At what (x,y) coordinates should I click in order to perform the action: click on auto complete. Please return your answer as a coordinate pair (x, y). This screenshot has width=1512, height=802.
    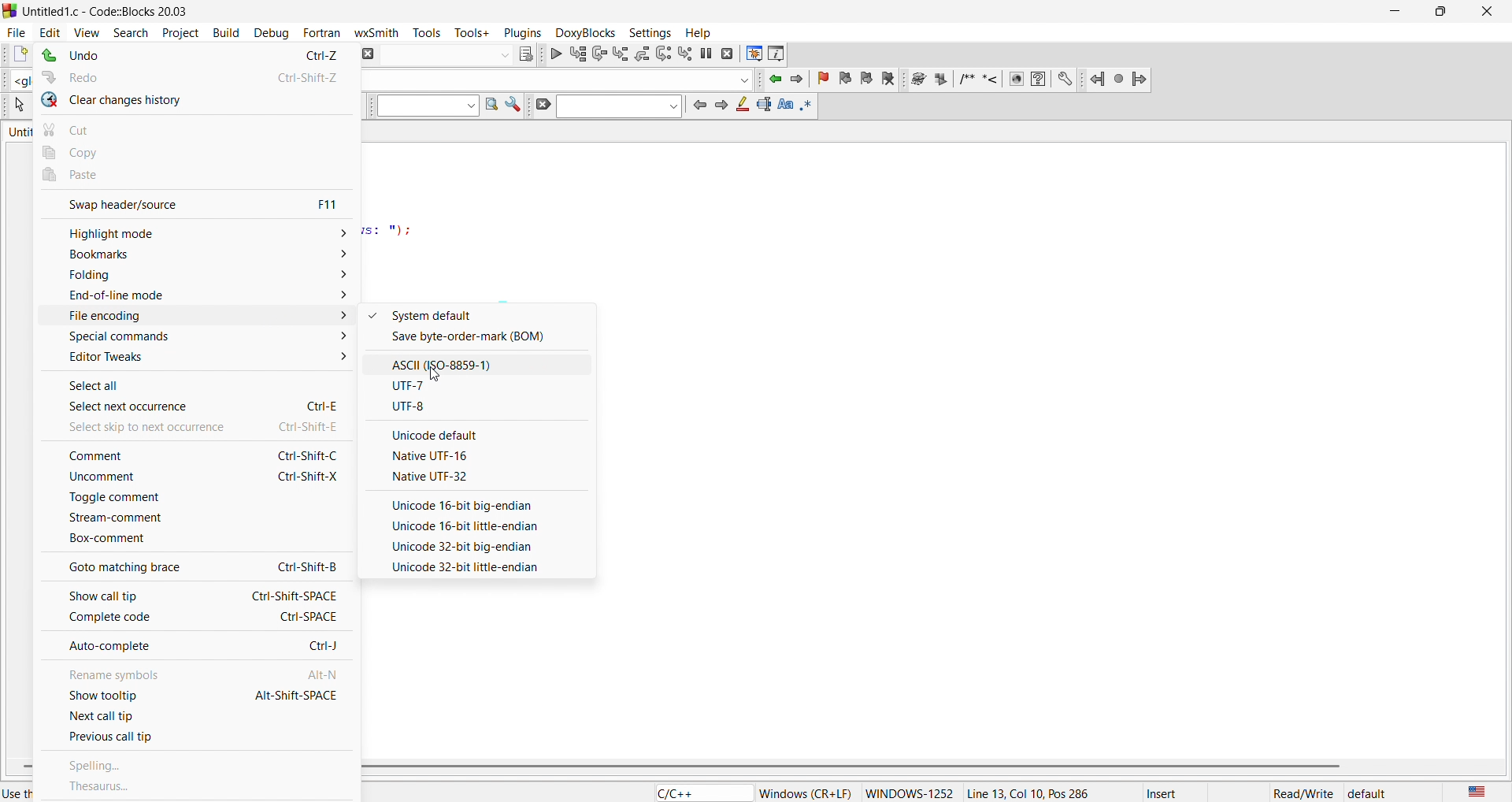
    Looking at the image, I should click on (198, 646).